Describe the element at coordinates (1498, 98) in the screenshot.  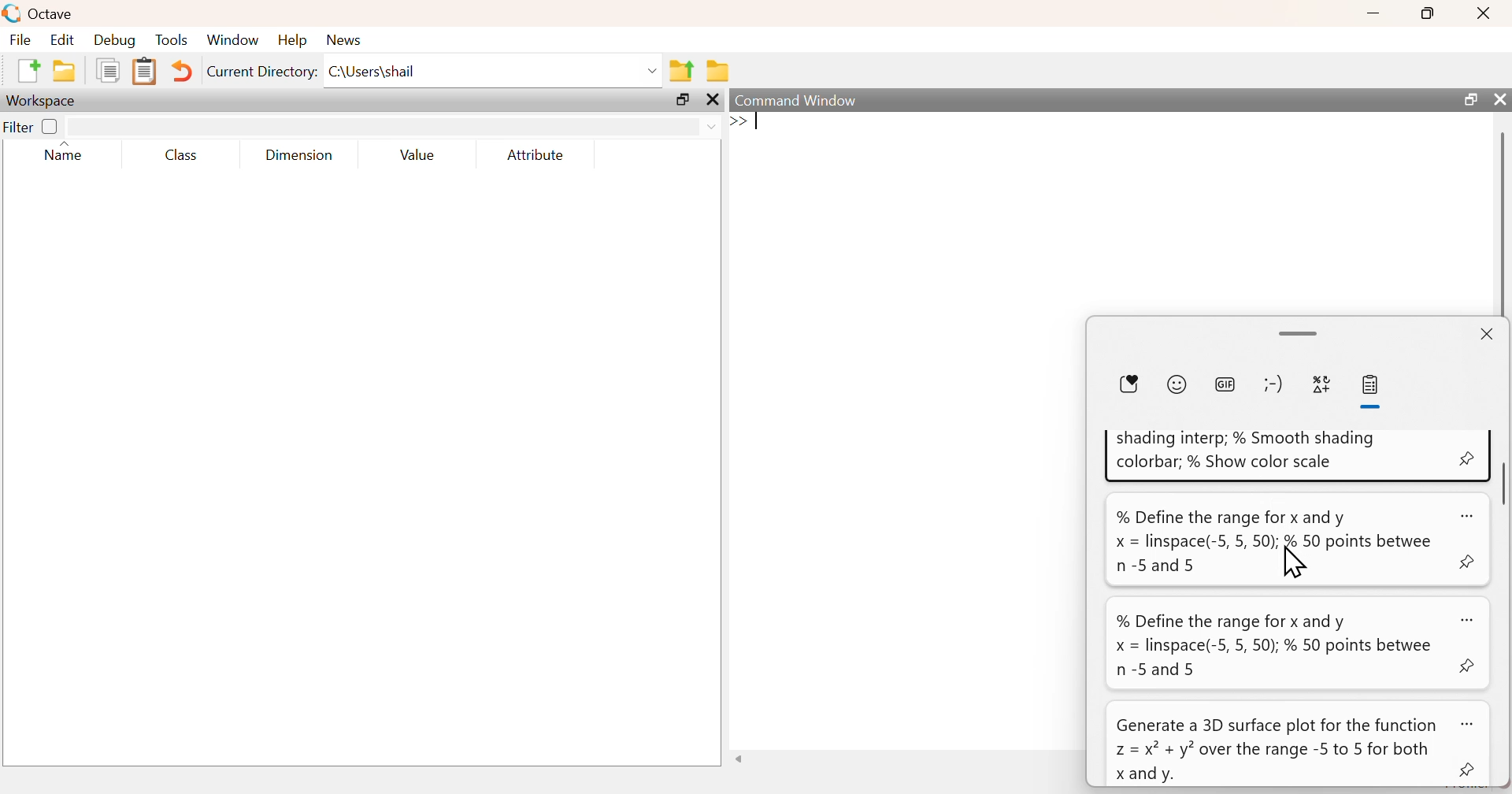
I see `close` at that location.